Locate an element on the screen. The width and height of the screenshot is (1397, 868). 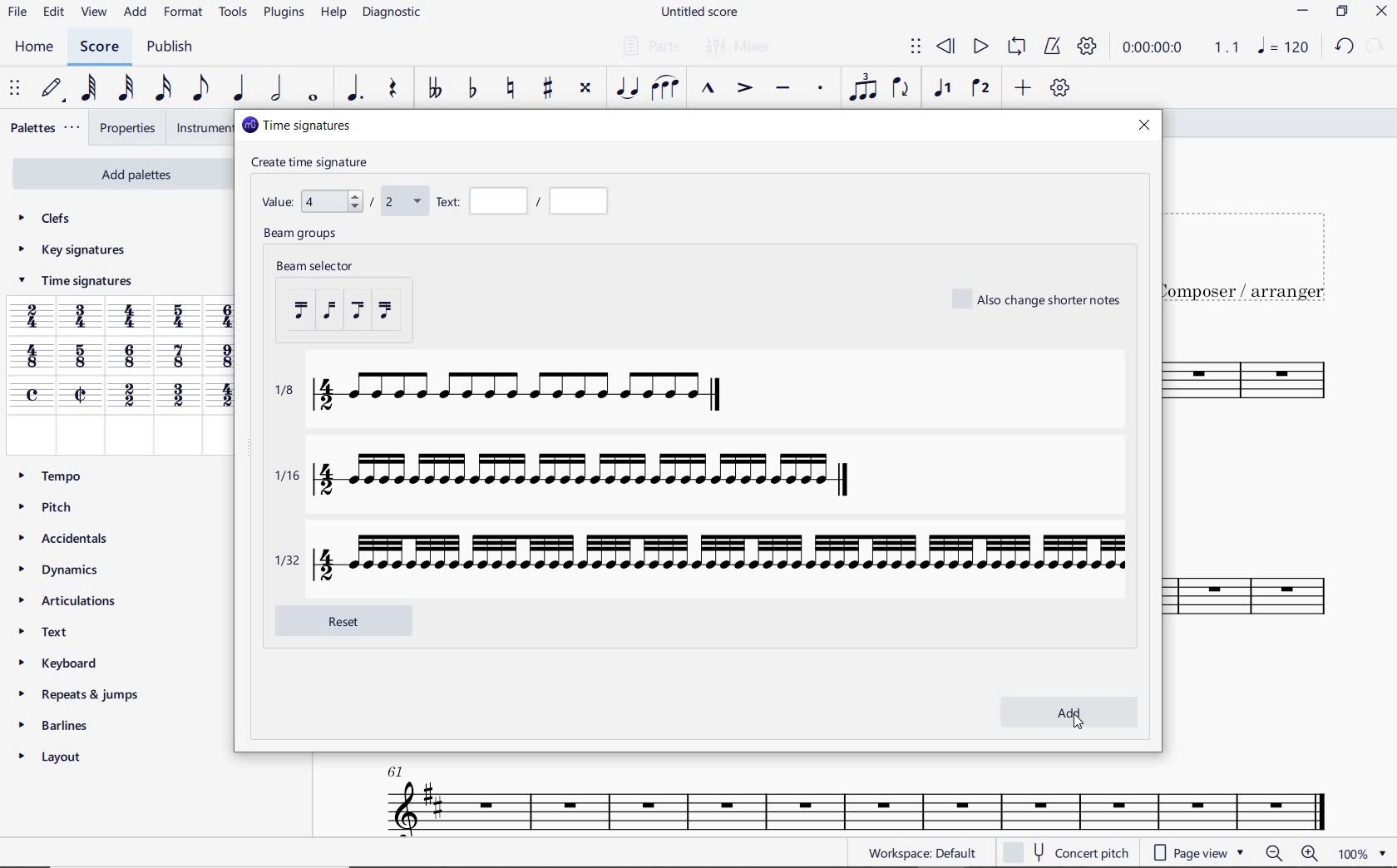
cursor is located at coordinates (1075, 723).